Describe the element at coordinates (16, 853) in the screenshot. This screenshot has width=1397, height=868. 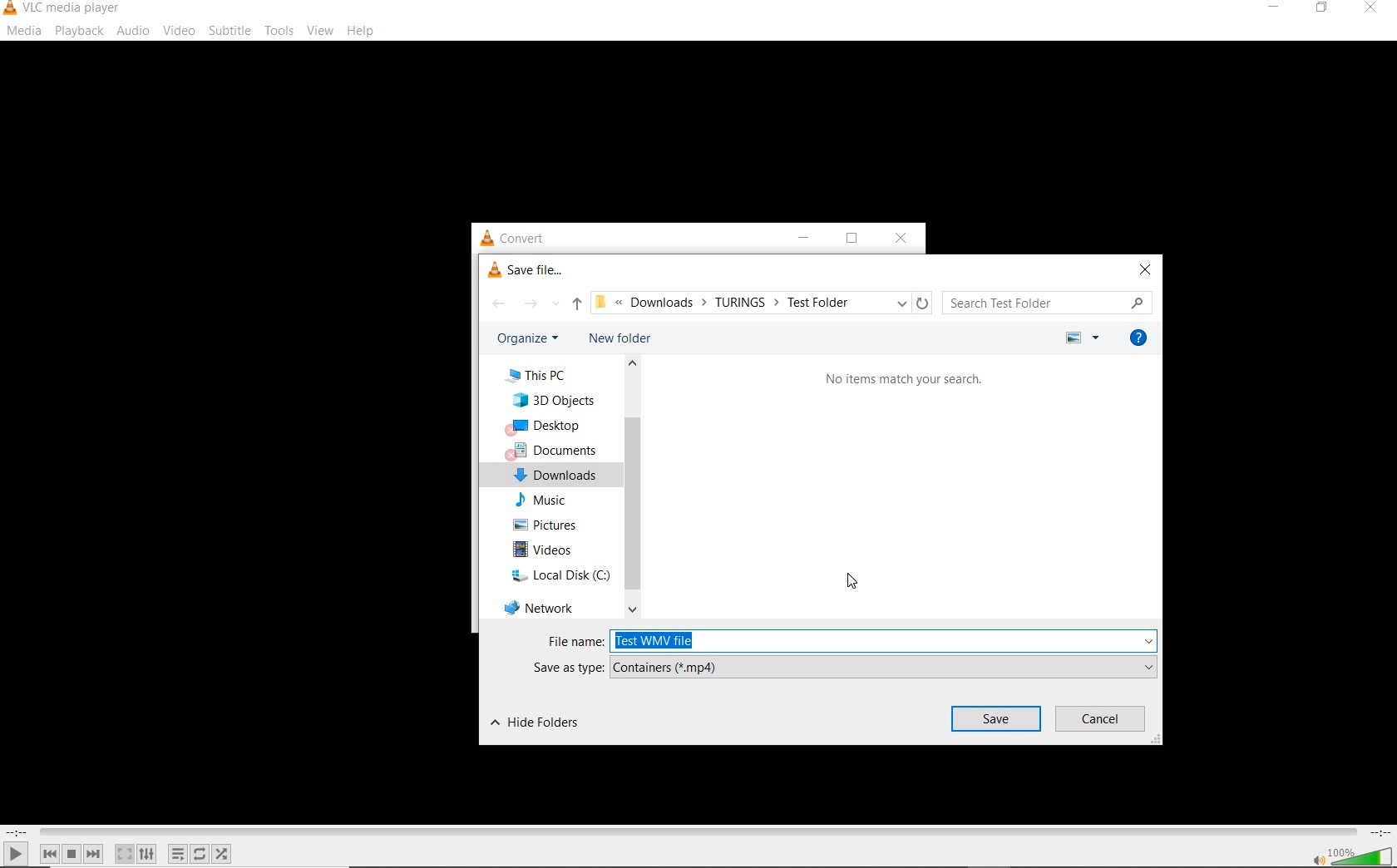
I see `play` at that location.